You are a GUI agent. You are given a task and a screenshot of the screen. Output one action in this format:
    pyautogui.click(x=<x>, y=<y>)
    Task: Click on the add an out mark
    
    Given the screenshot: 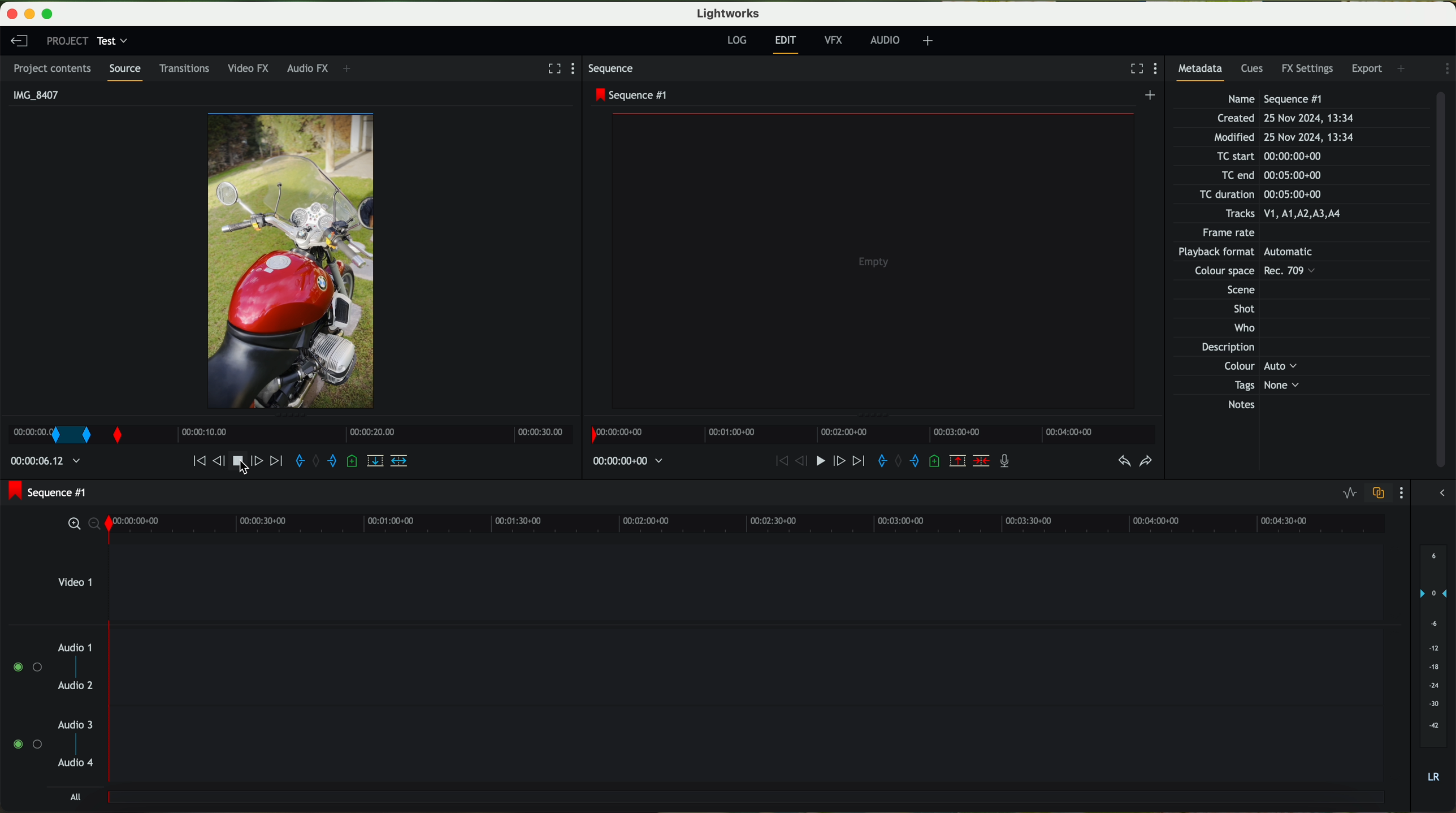 What is the action you would take?
    pyautogui.click(x=332, y=464)
    